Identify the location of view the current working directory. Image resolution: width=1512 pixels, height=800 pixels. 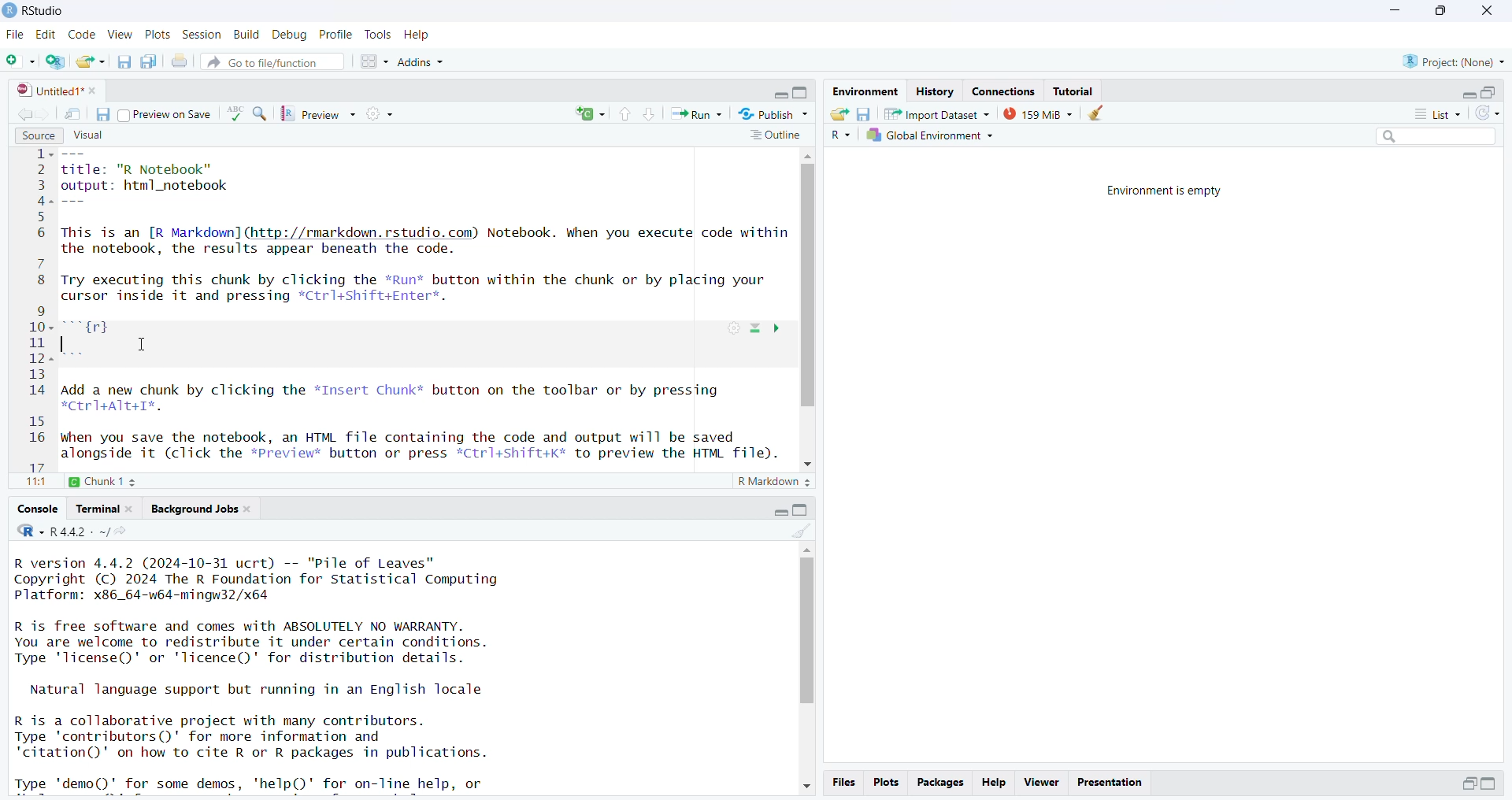
(124, 530).